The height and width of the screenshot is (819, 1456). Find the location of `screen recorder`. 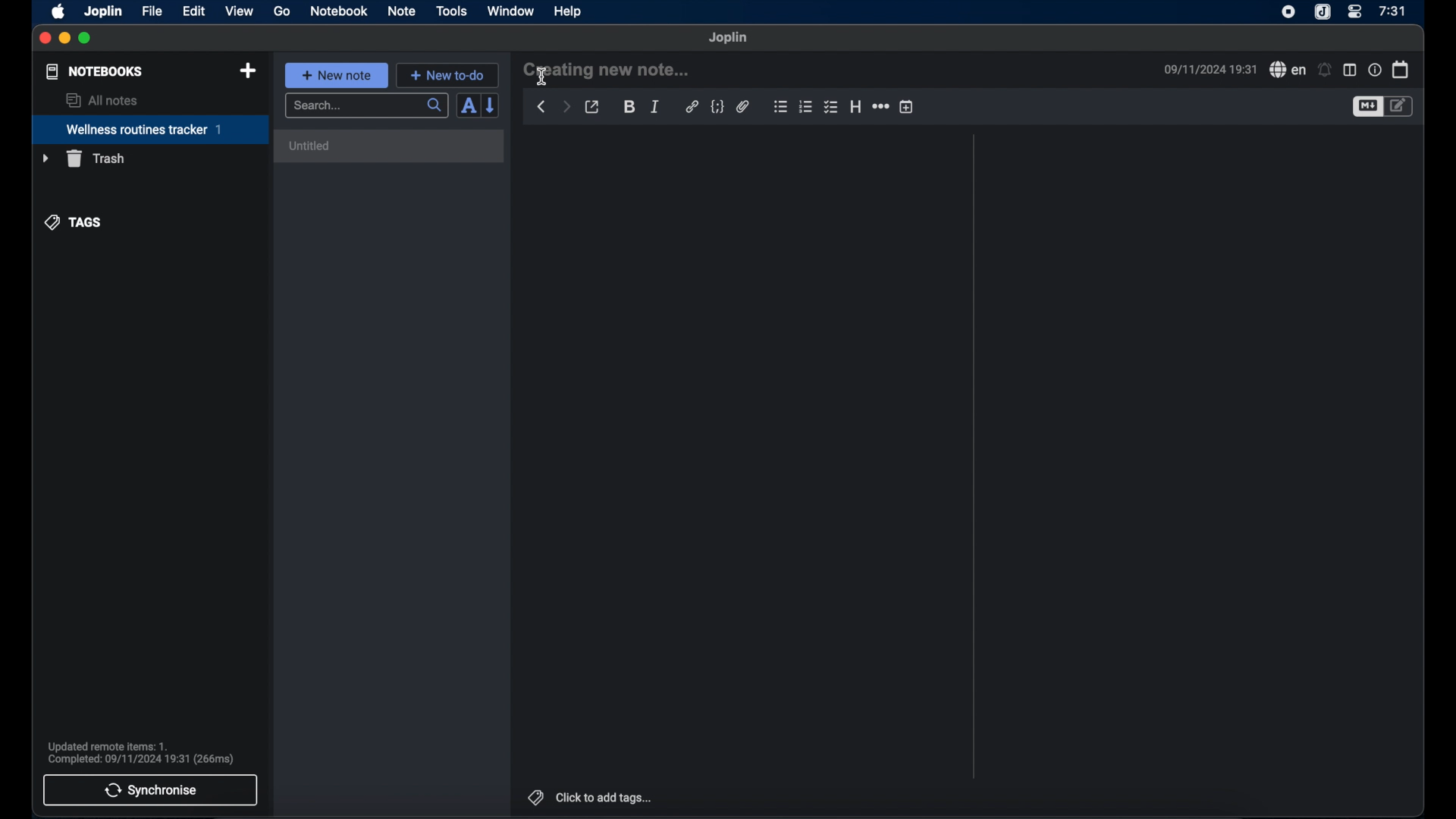

screen recorder is located at coordinates (1288, 11).